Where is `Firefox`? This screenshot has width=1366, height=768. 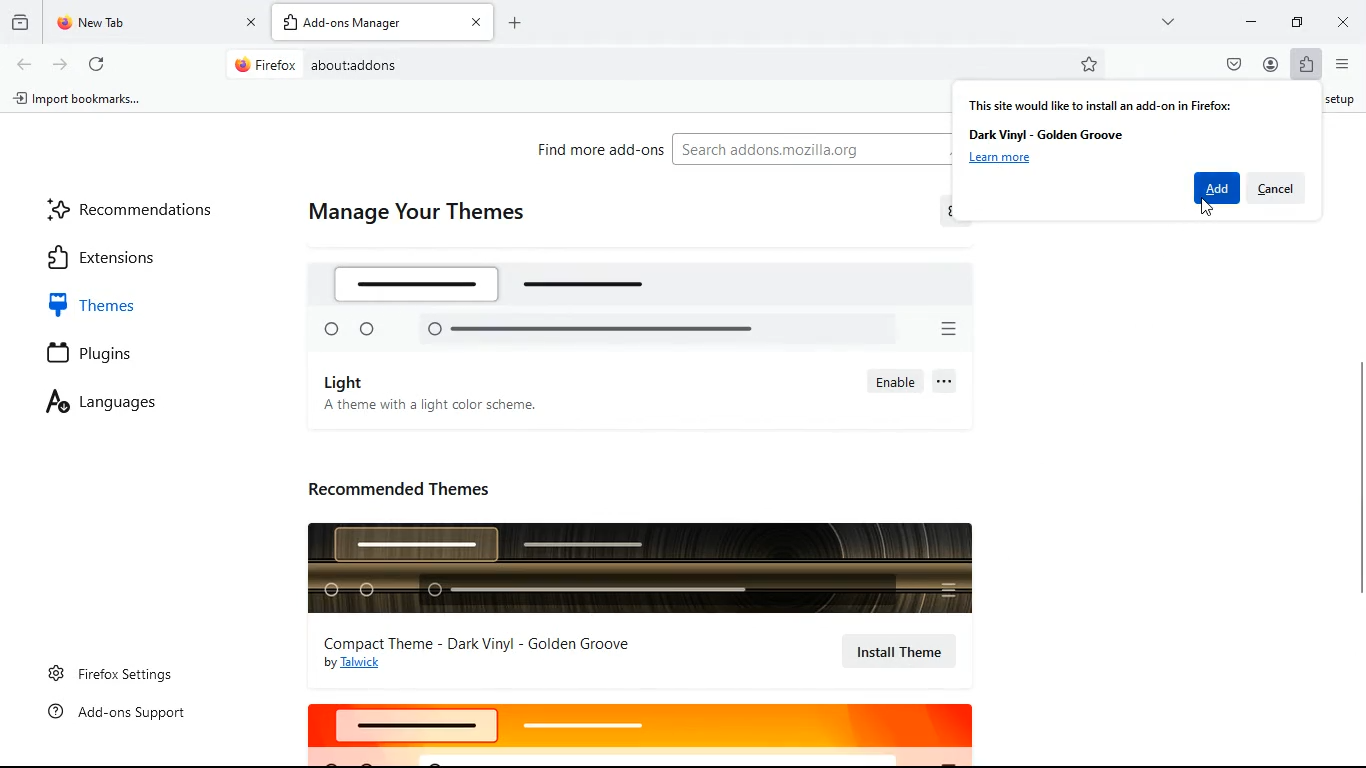
Firefox is located at coordinates (266, 64).